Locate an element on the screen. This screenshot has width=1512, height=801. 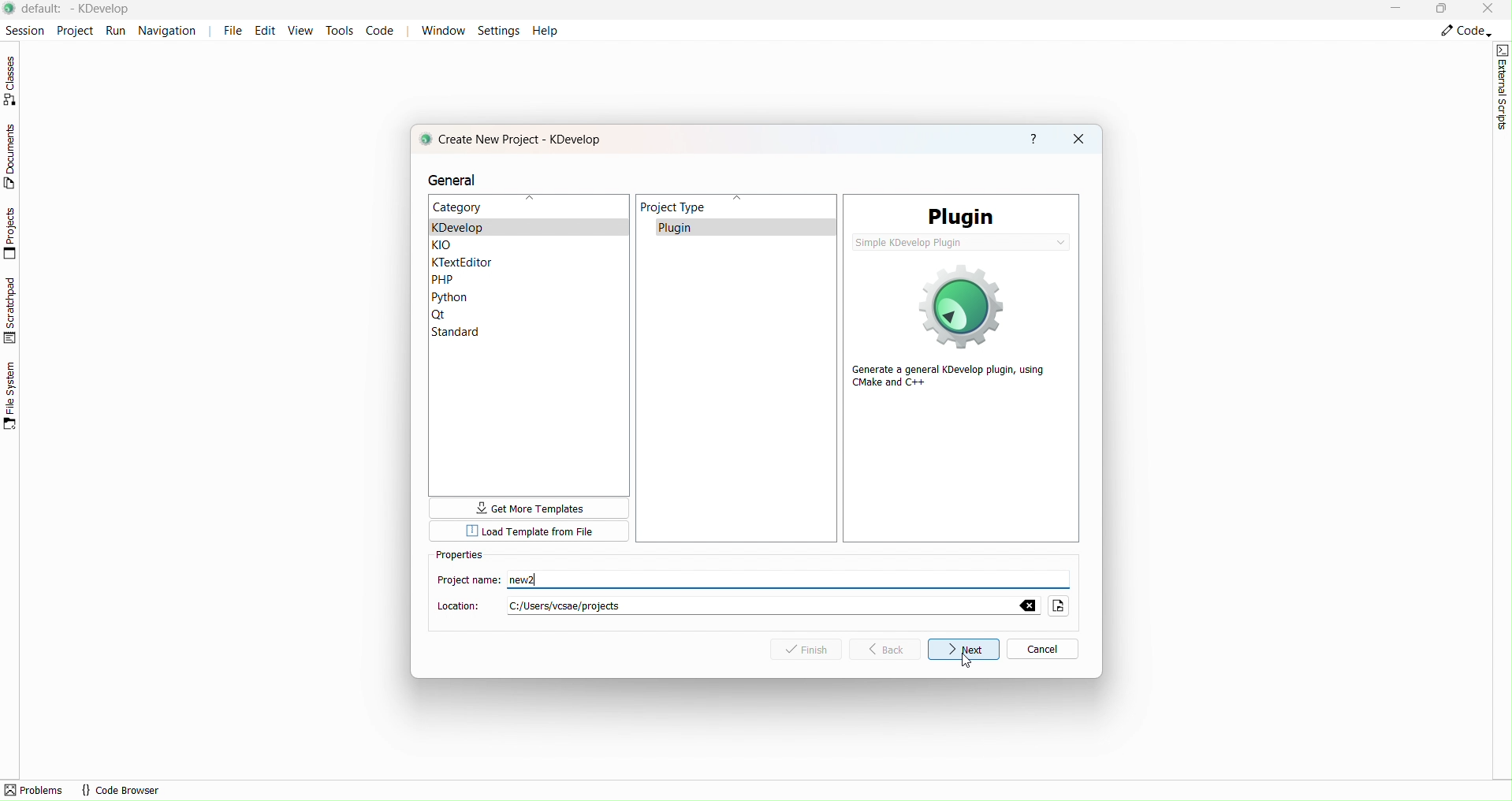
create new project is located at coordinates (516, 139).